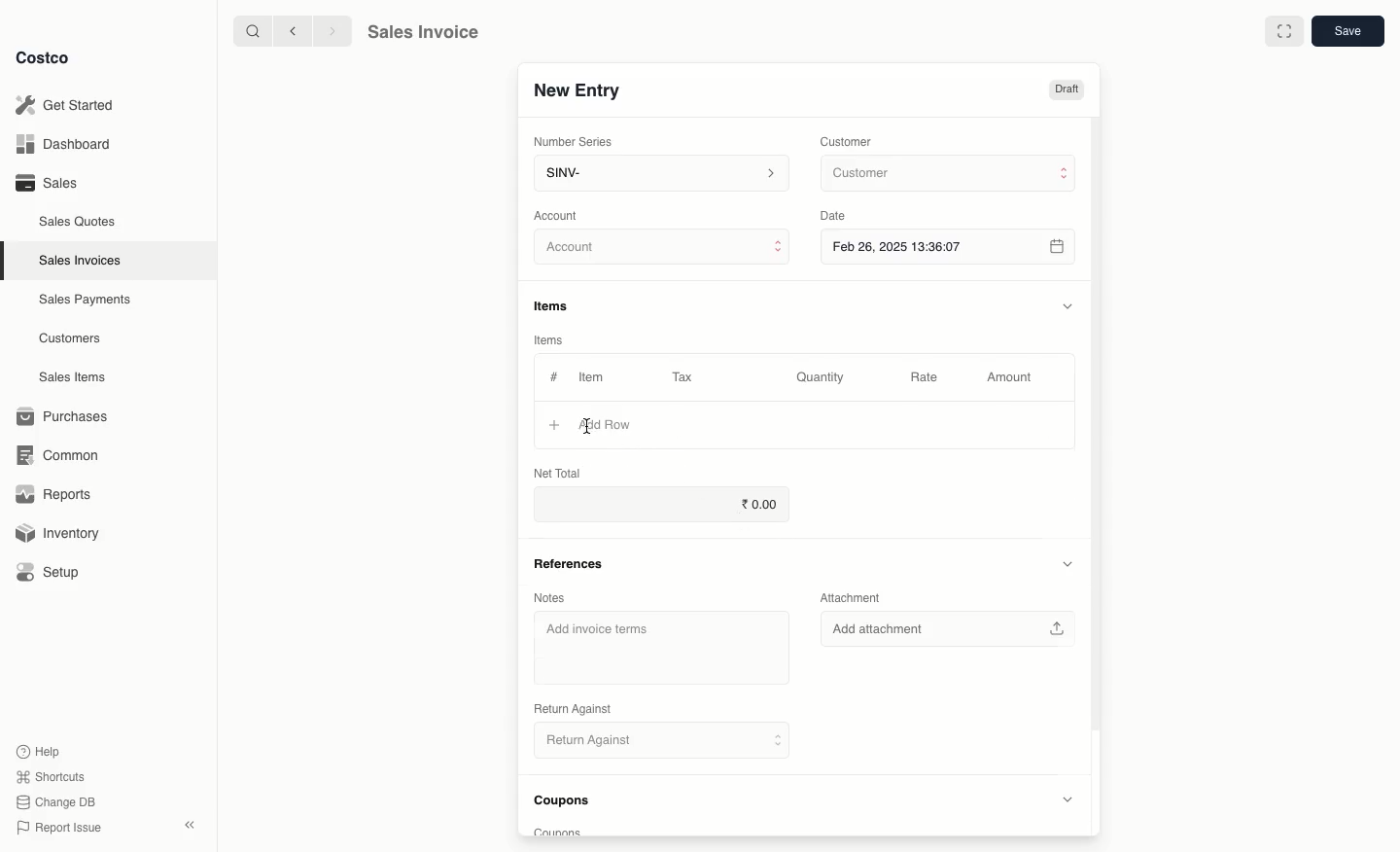 This screenshot has height=852, width=1400. What do you see at coordinates (819, 378) in the screenshot?
I see `Quantity` at bounding box center [819, 378].